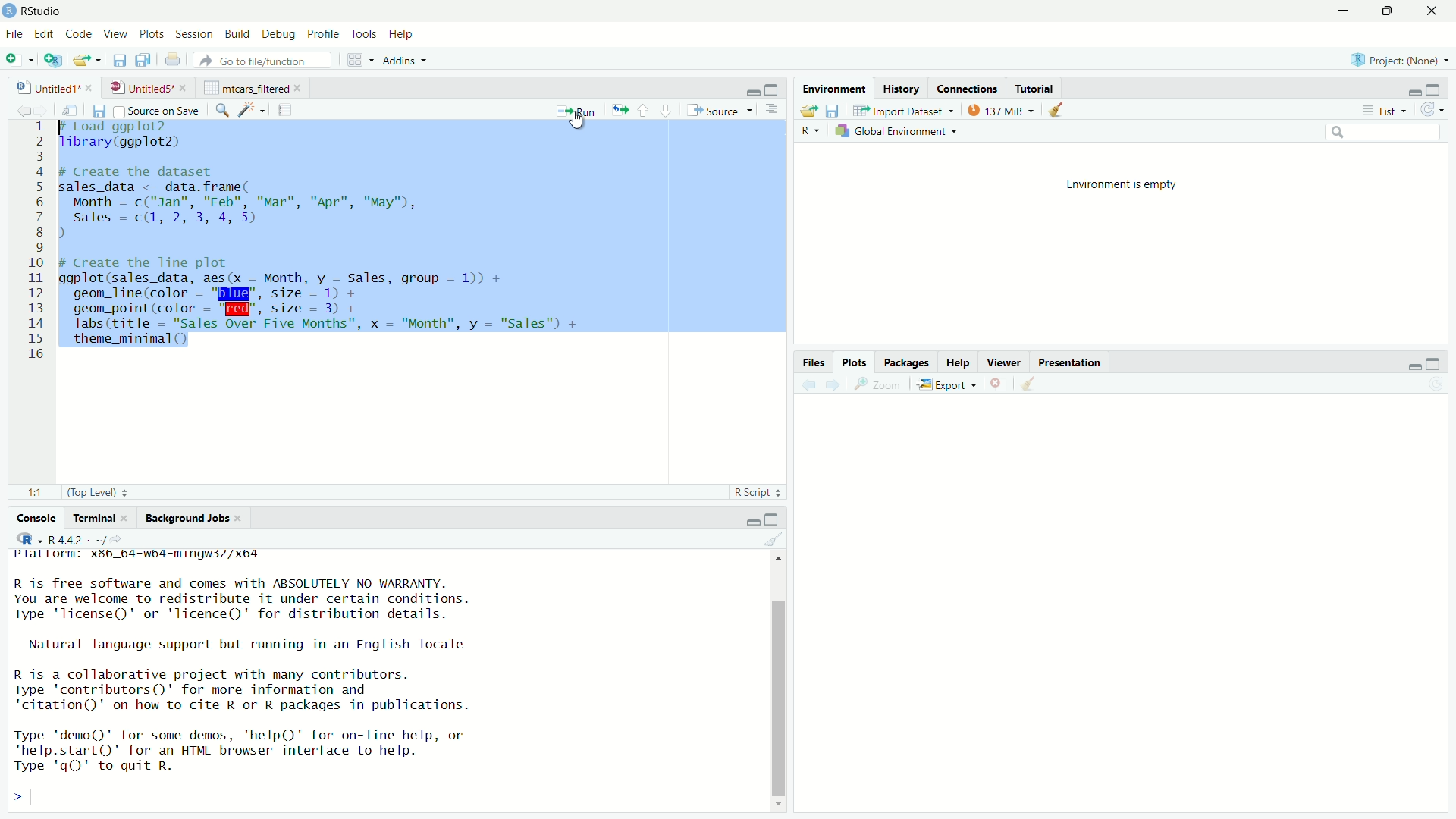  Describe the element at coordinates (77, 540) in the screenshot. I see `R 4.4.2 .~/` at that location.